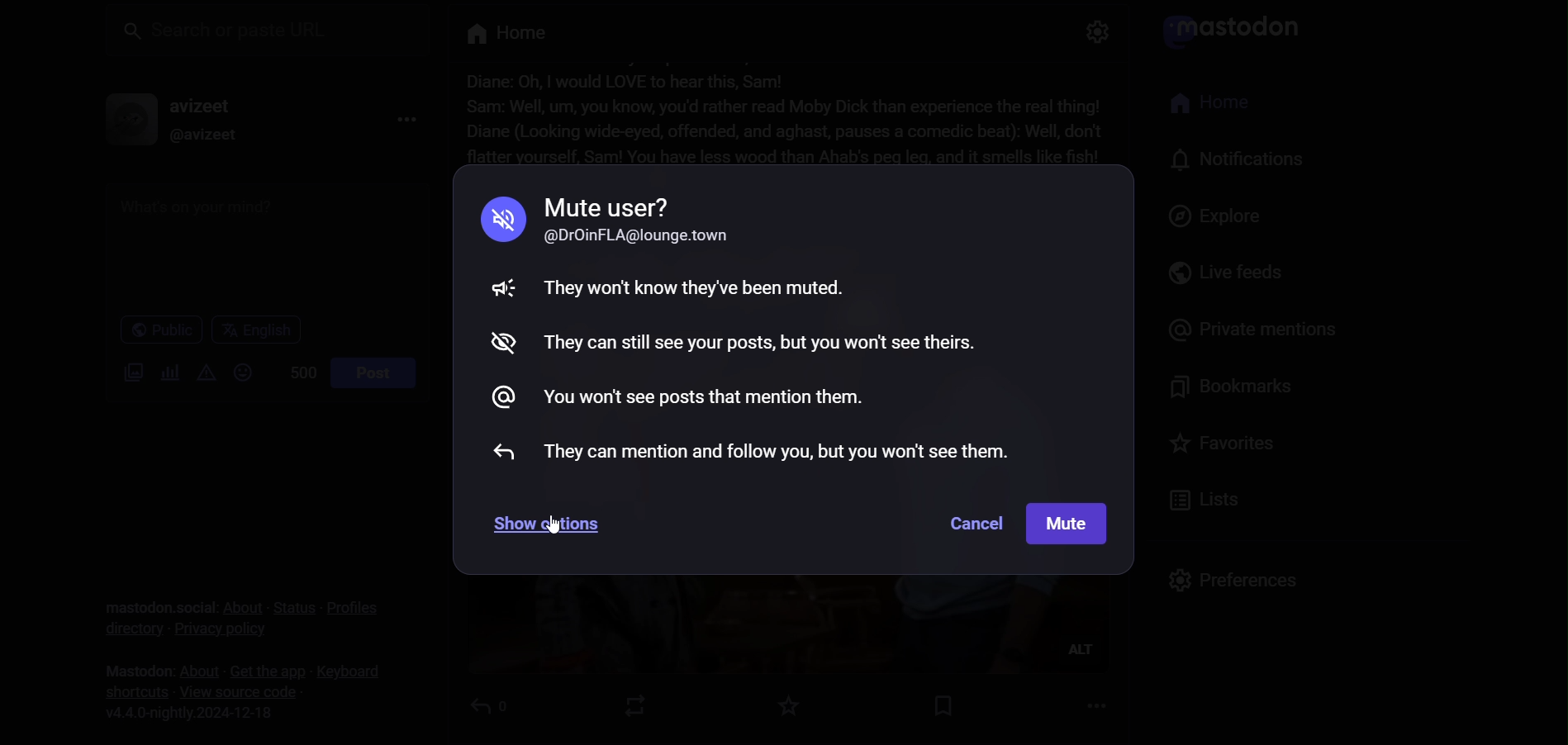  I want to click on mute, so click(1068, 524).